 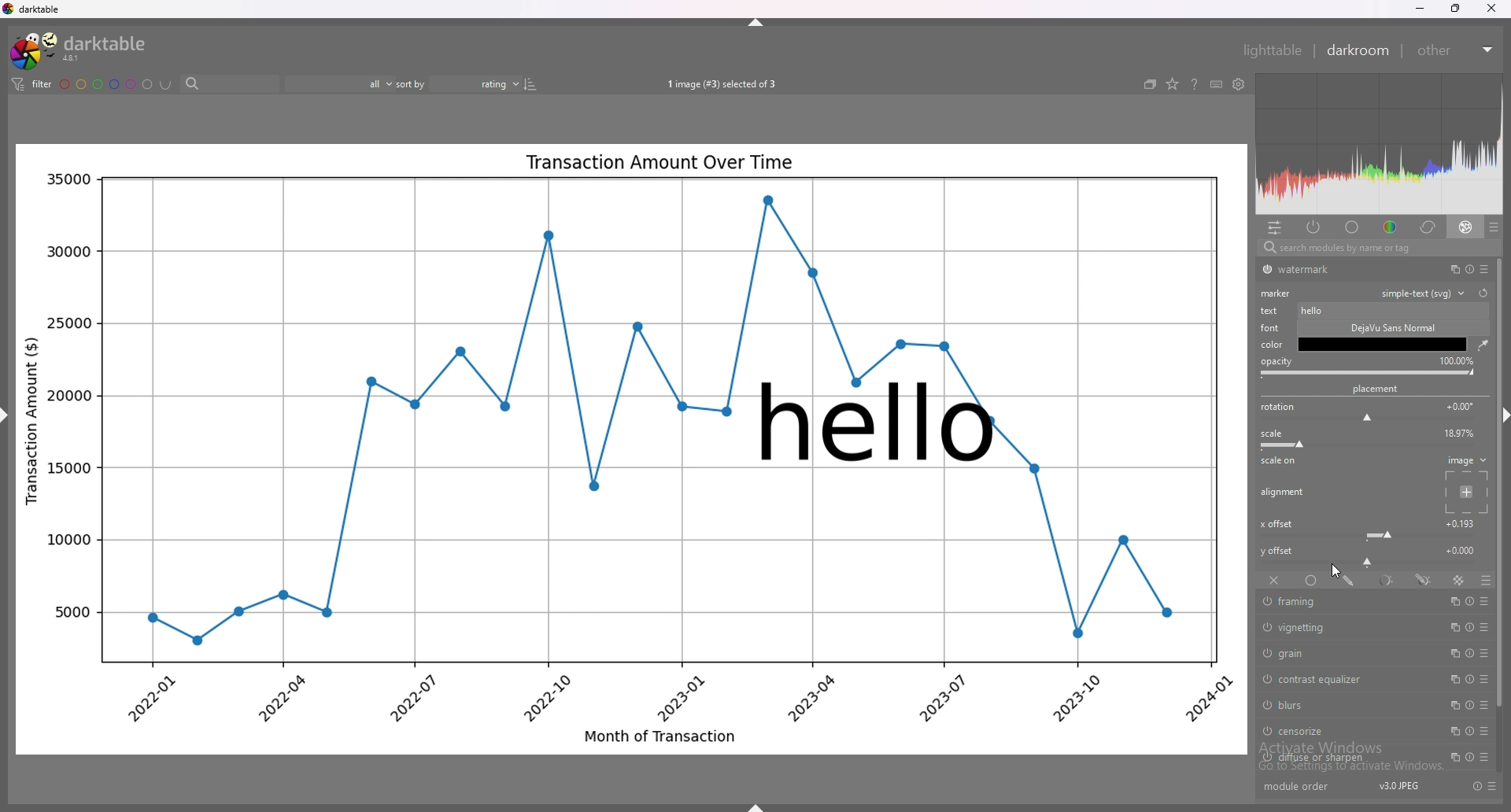 I want to click on other, so click(x=1457, y=50).